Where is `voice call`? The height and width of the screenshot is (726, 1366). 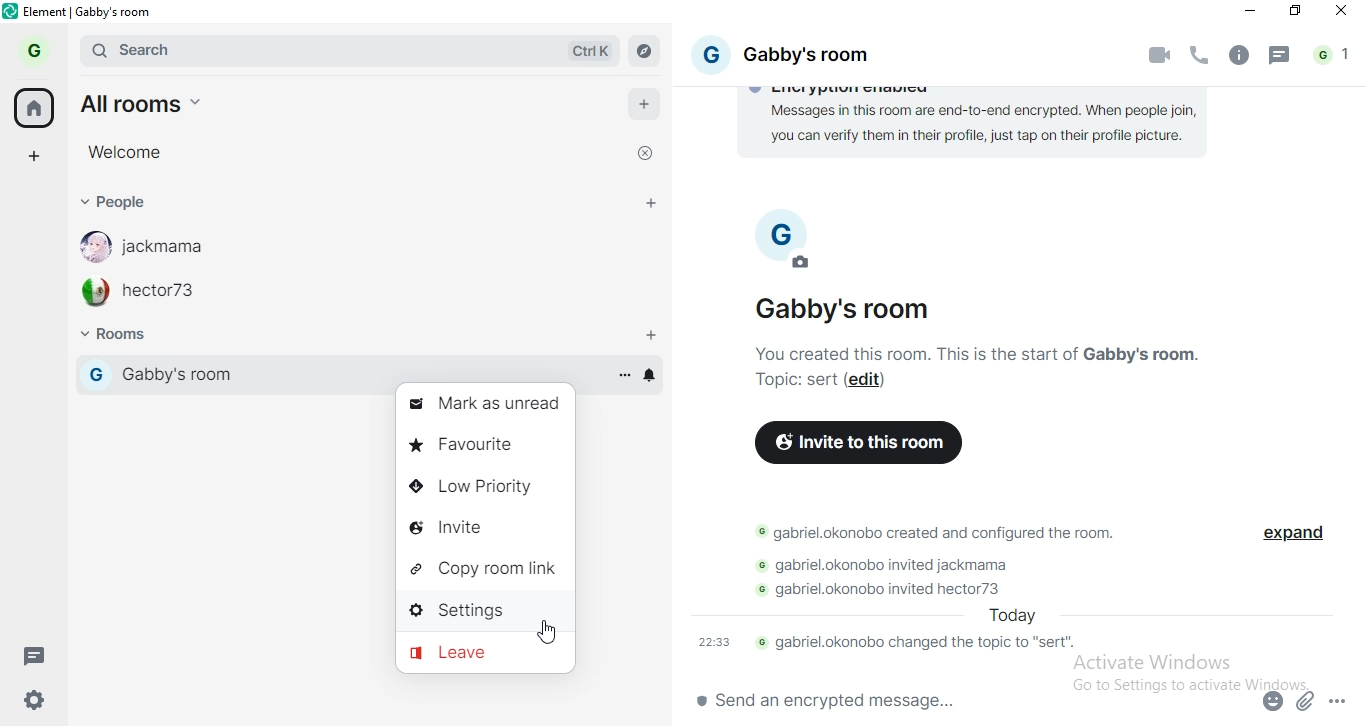 voice call is located at coordinates (1201, 58).